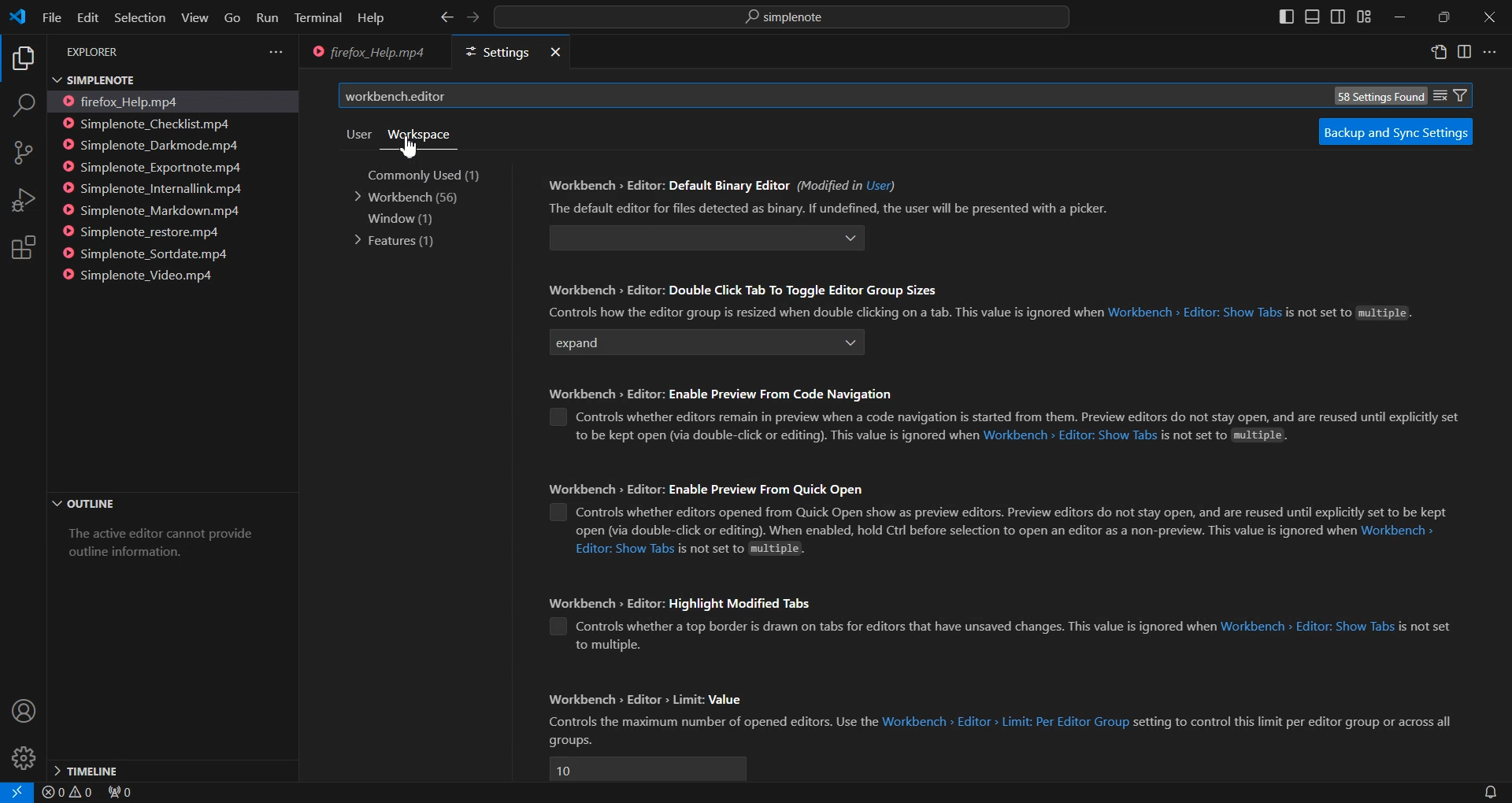 This screenshot has height=803, width=1512. What do you see at coordinates (24, 249) in the screenshot?
I see `Extension's` at bounding box center [24, 249].